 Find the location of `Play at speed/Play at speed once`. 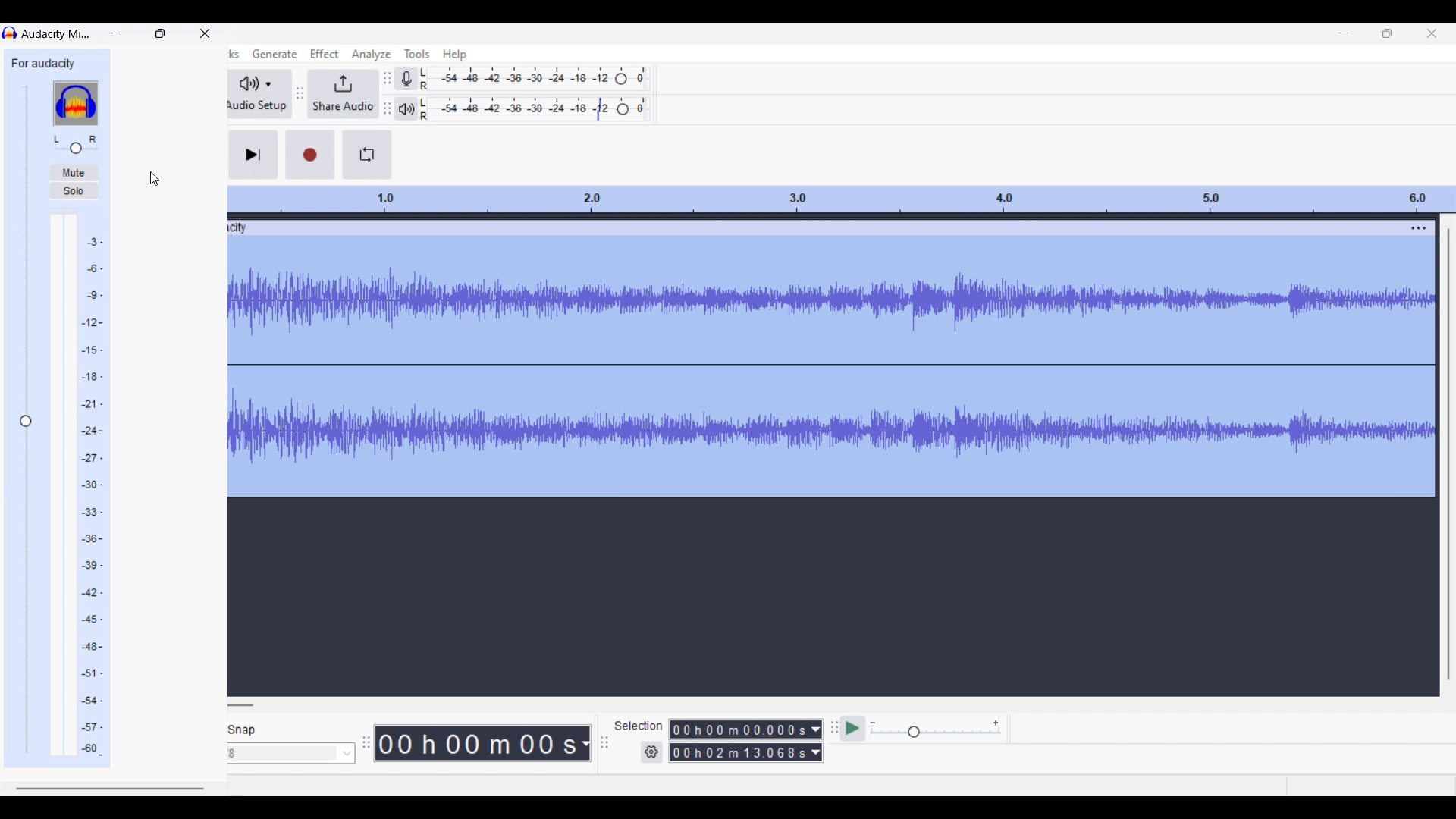

Play at speed/Play at speed once is located at coordinates (852, 729).